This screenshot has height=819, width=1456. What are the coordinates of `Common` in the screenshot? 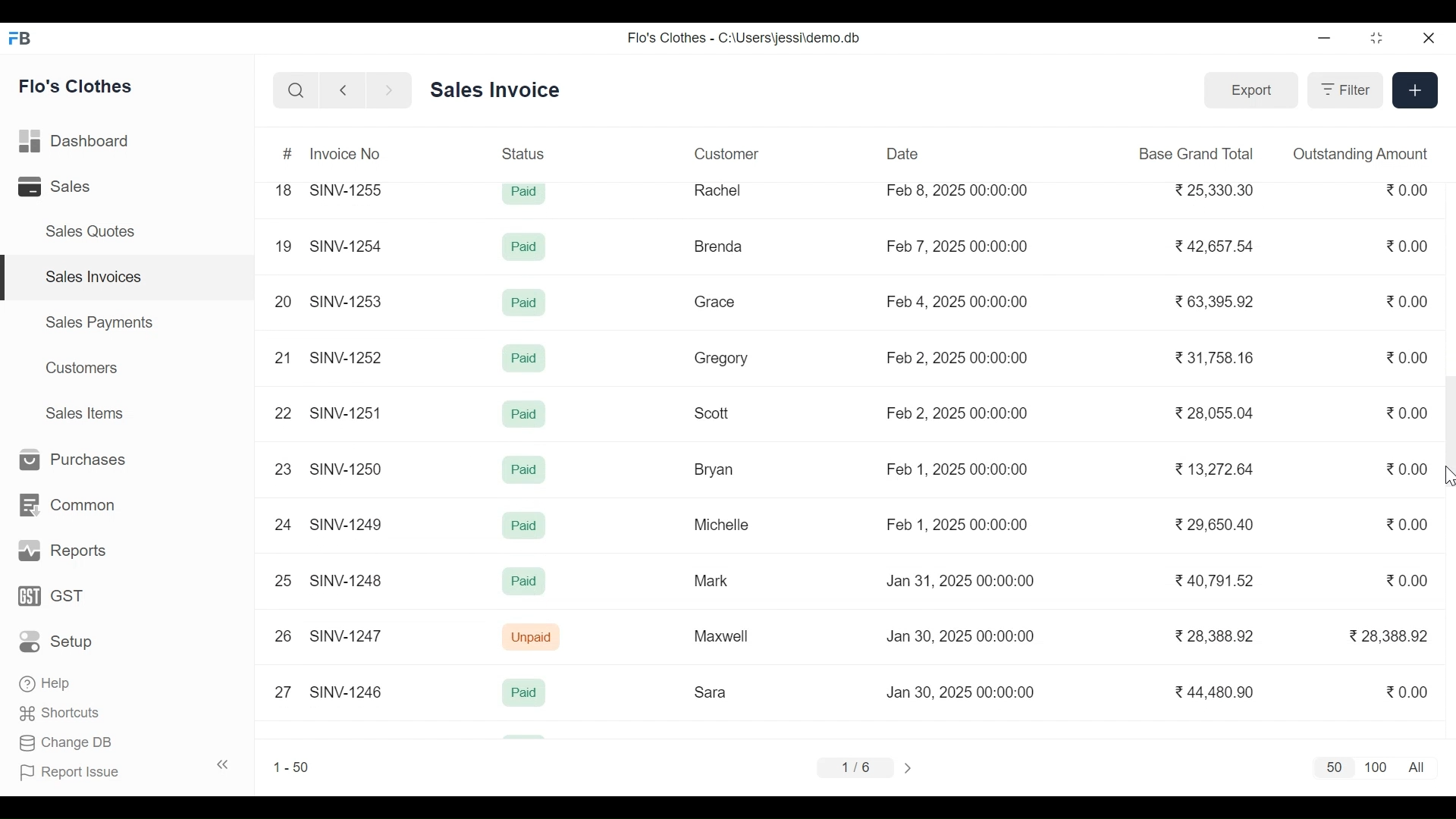 It's located at (64, 506).